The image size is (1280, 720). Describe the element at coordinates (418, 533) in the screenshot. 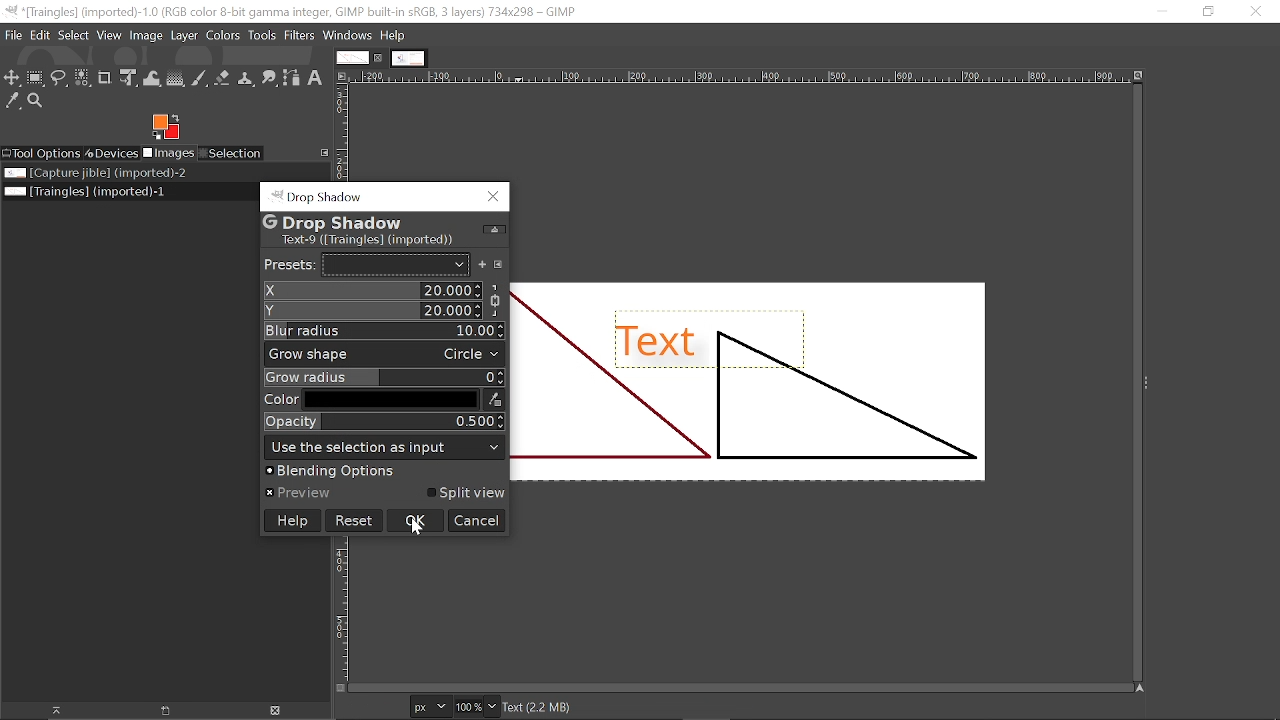

I see `cursor` at that location.